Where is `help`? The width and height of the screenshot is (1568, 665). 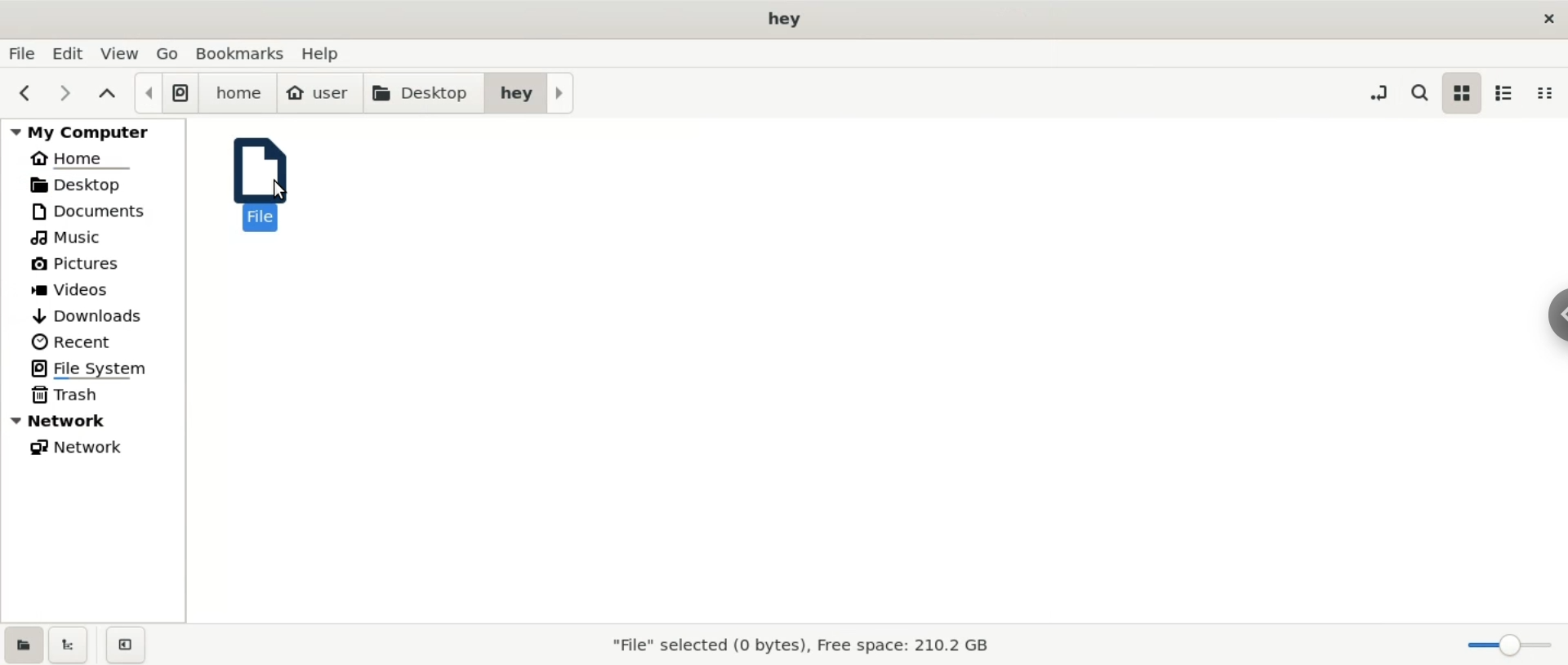 help is located at coordinates (328, 53).